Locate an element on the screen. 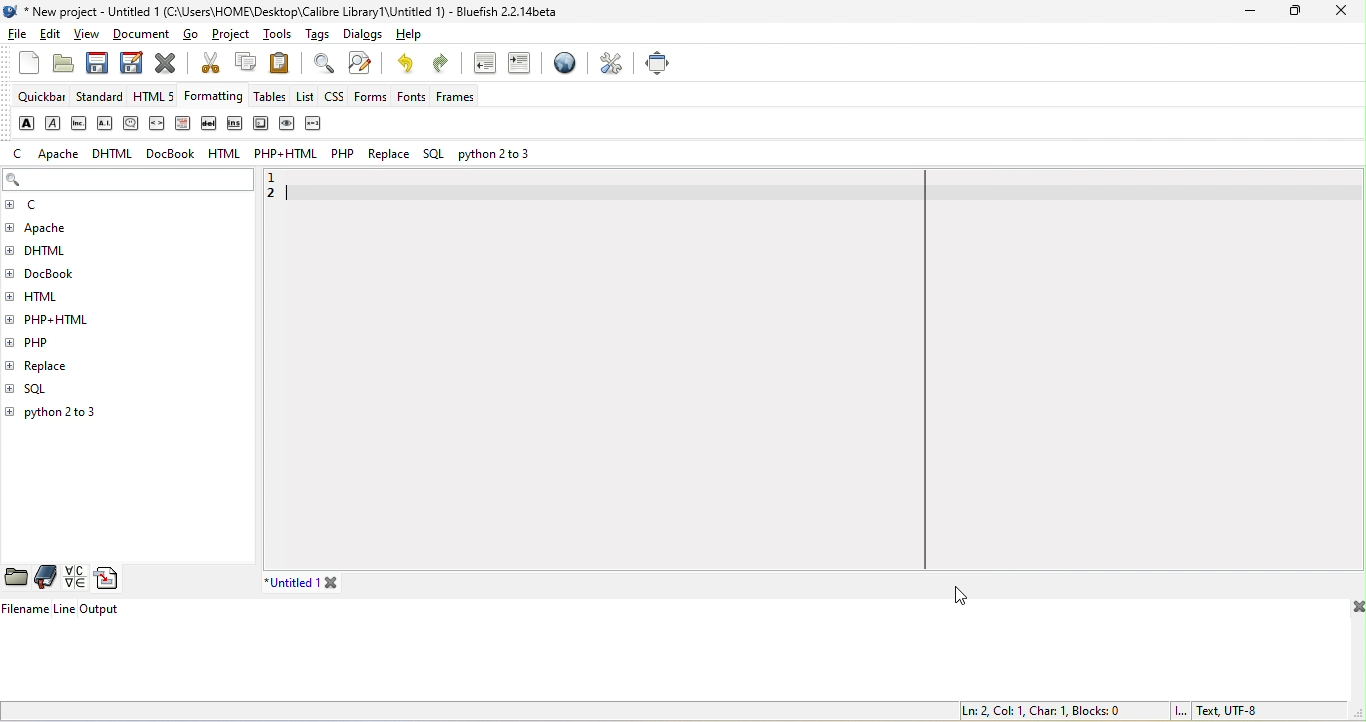  apache is located at coordinates (59, 150).